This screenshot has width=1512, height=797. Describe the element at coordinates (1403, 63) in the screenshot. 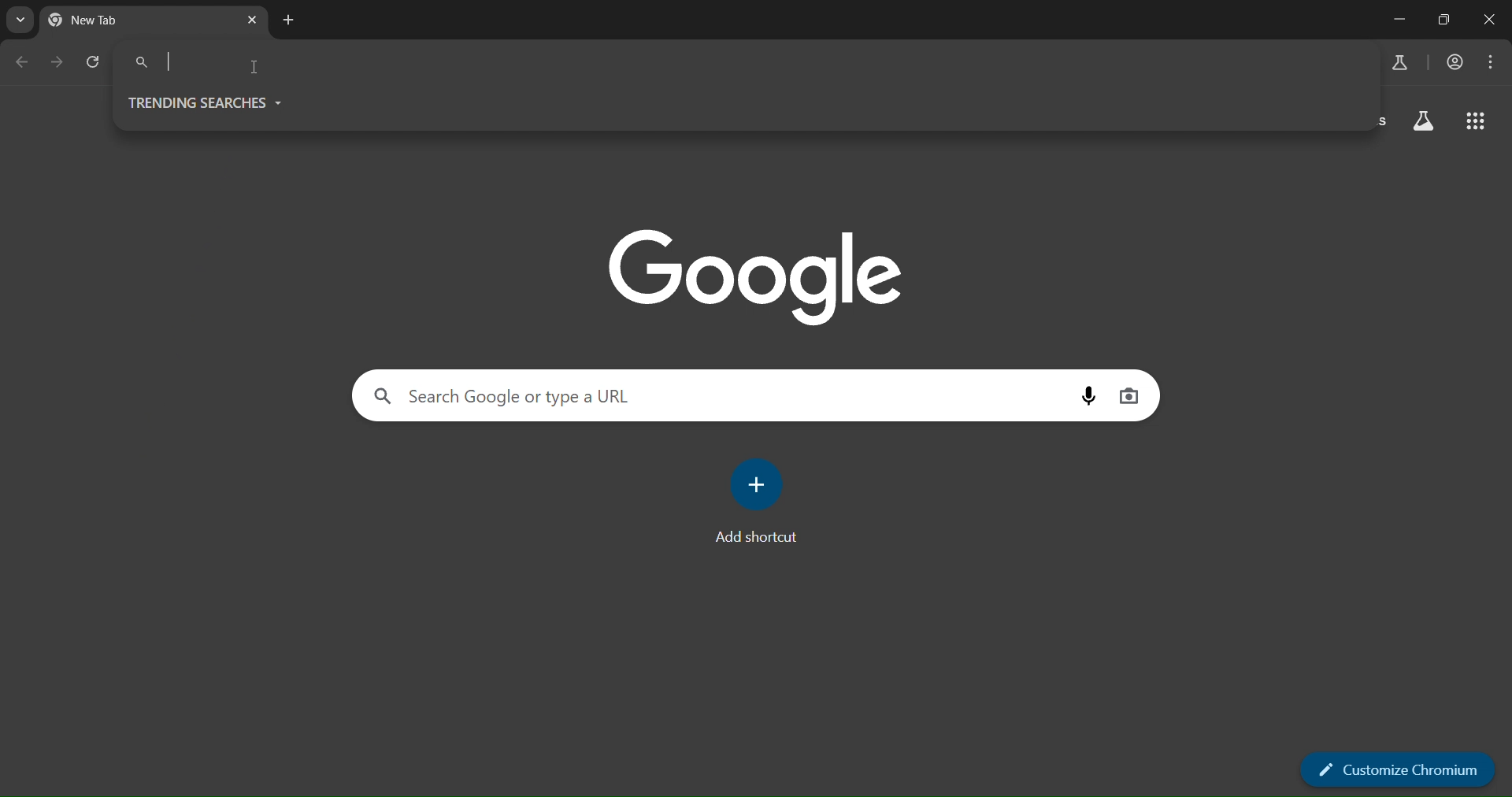

I see `search labs` at that location.